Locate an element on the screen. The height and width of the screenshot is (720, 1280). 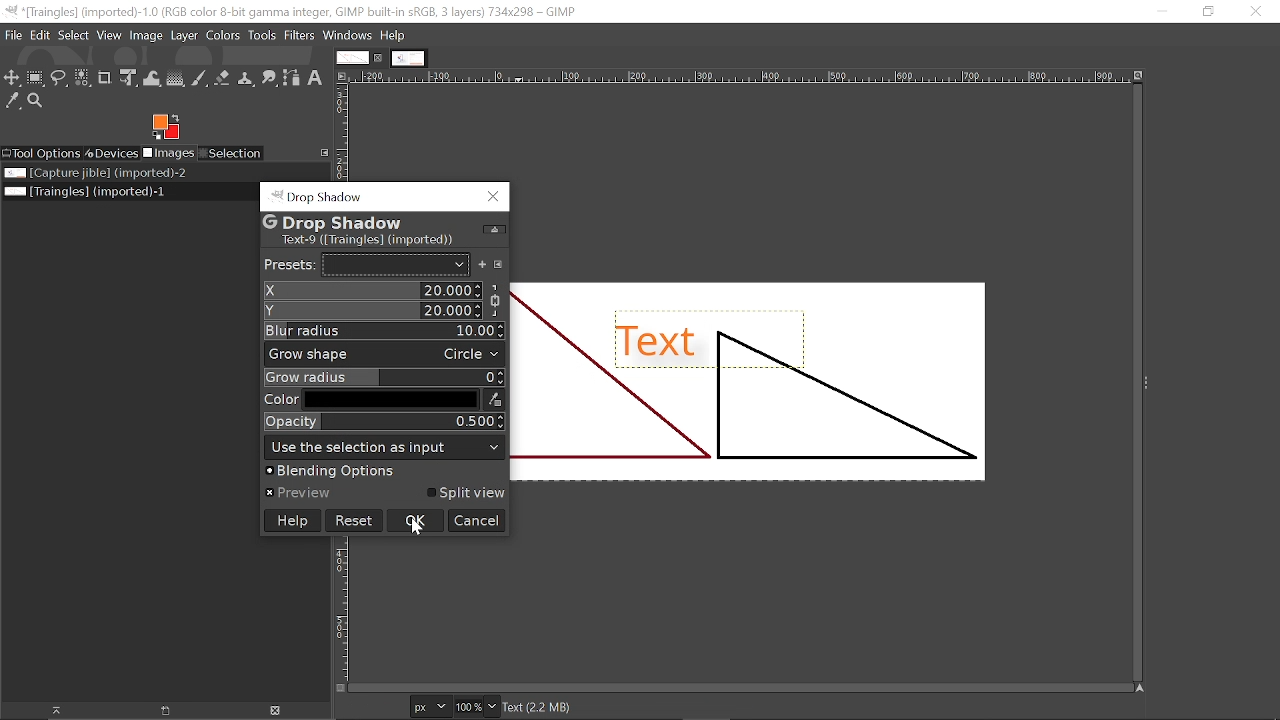
Clone tool is located at coordinates (247, 79).